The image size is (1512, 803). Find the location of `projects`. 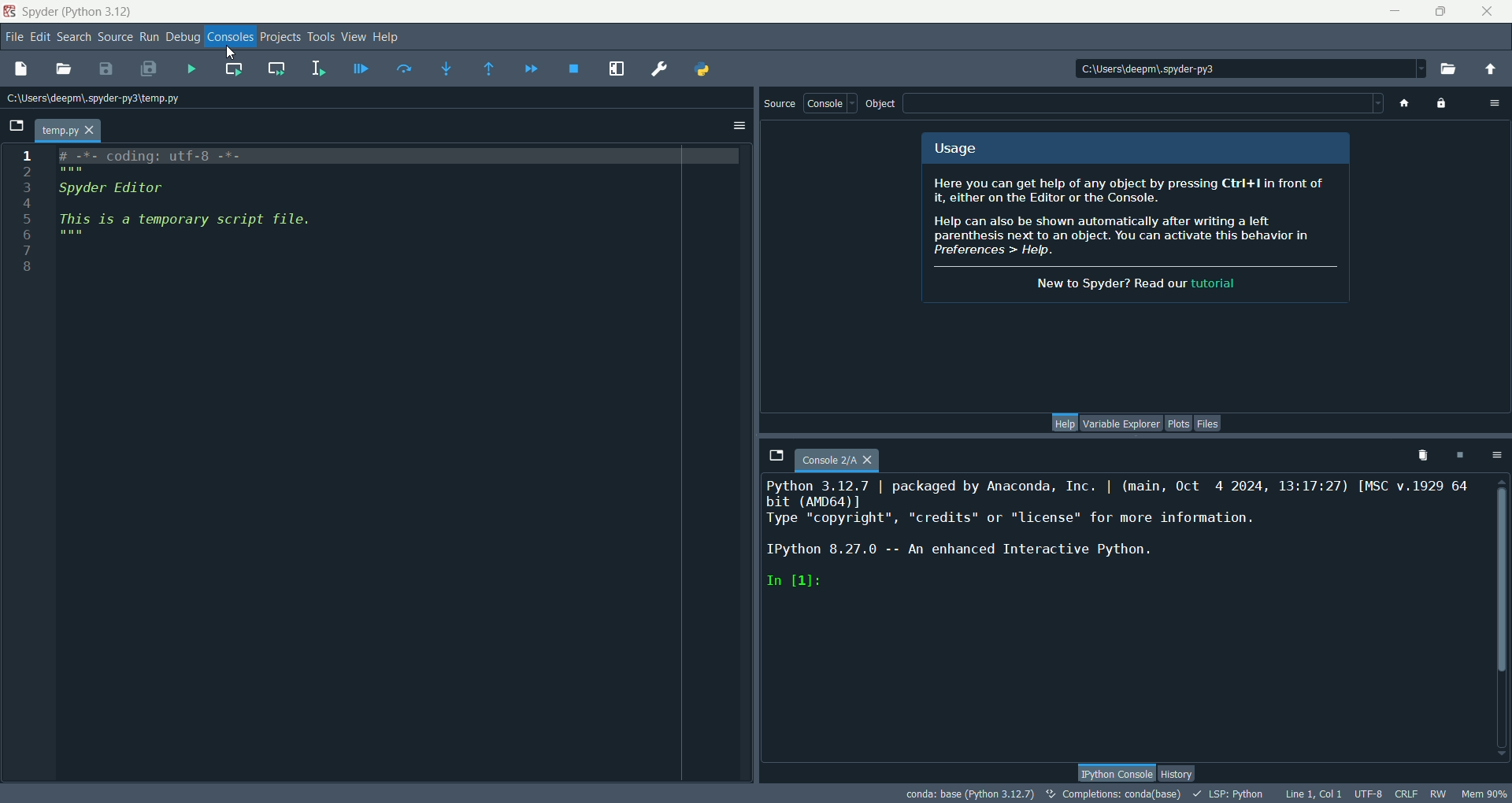

projects is located at coordinates (278, 38).